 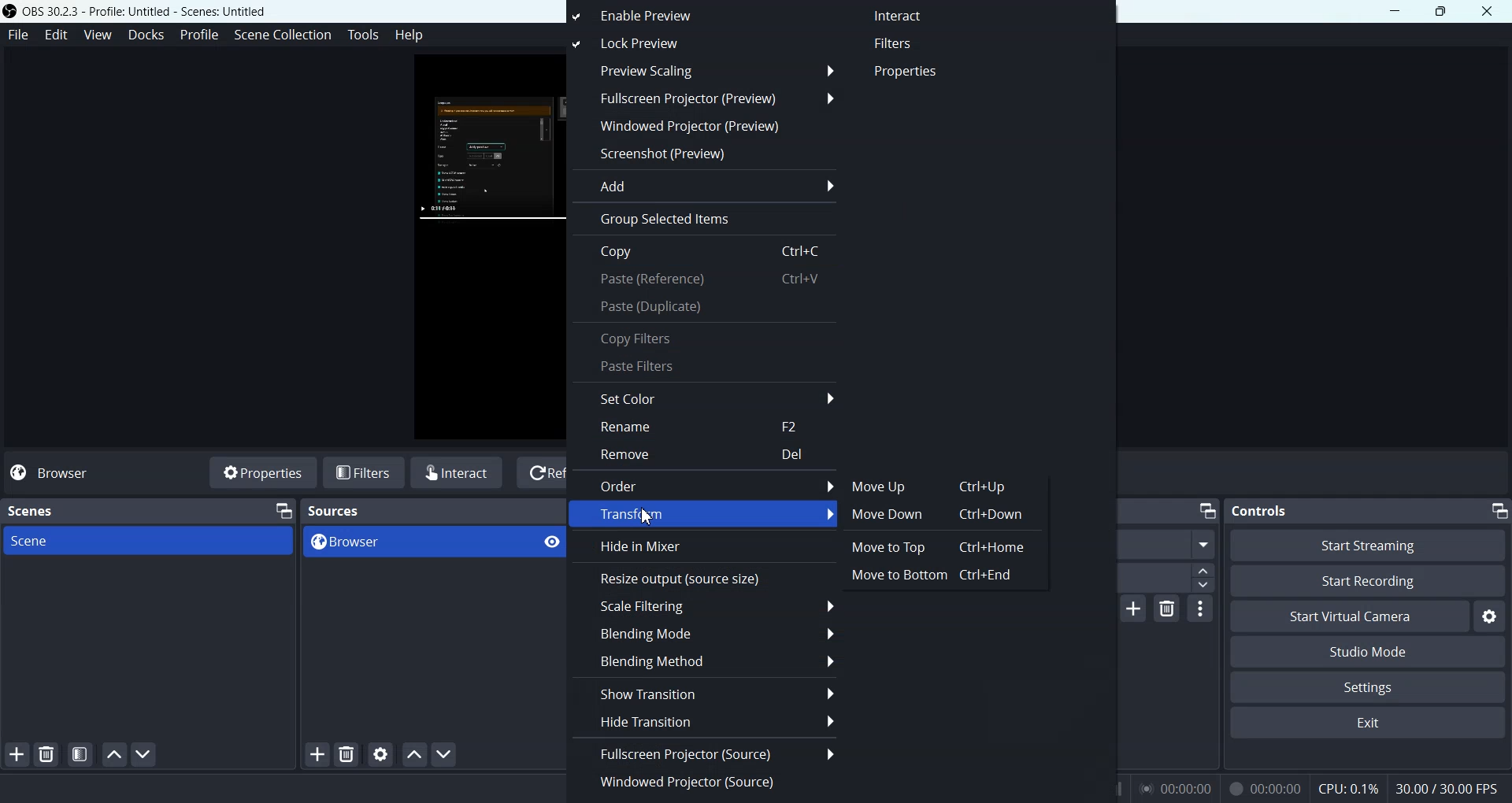 I want to click on Add Source, so click(x=317, y=754).